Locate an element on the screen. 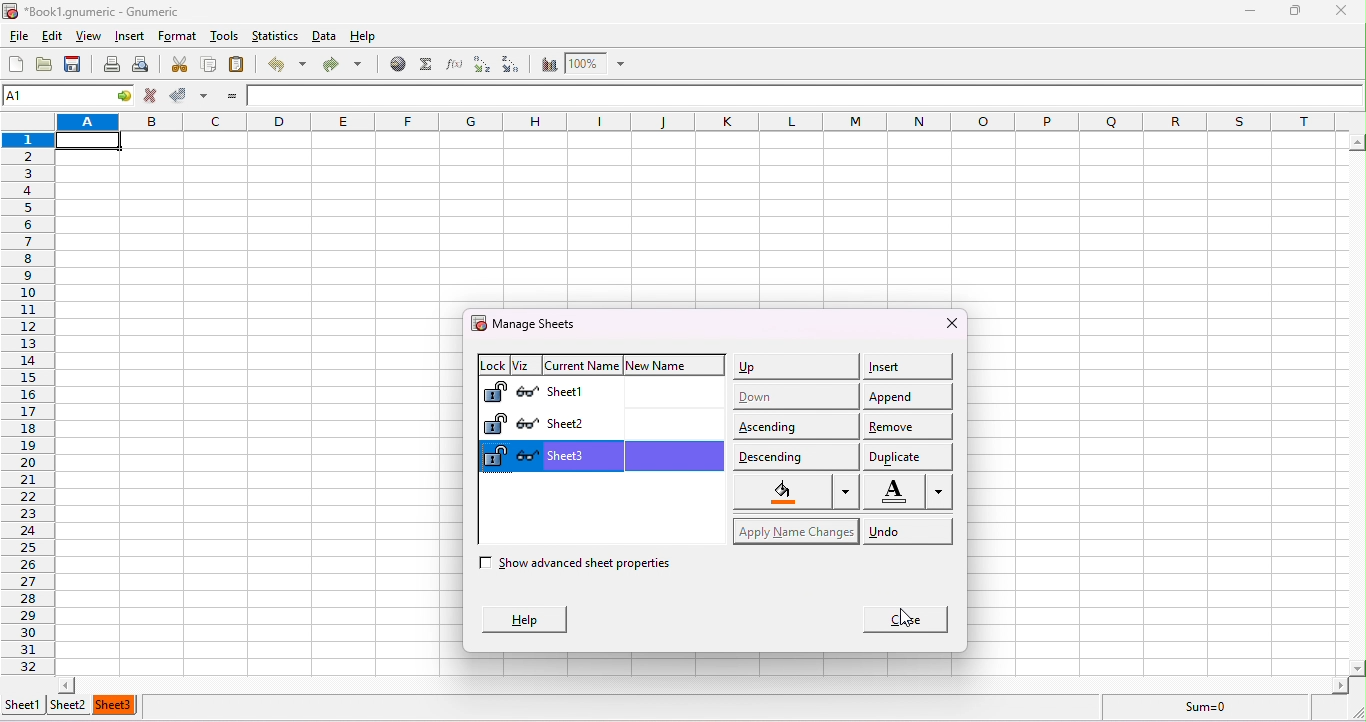  sheet 2 is located at coordinates (634, 424).